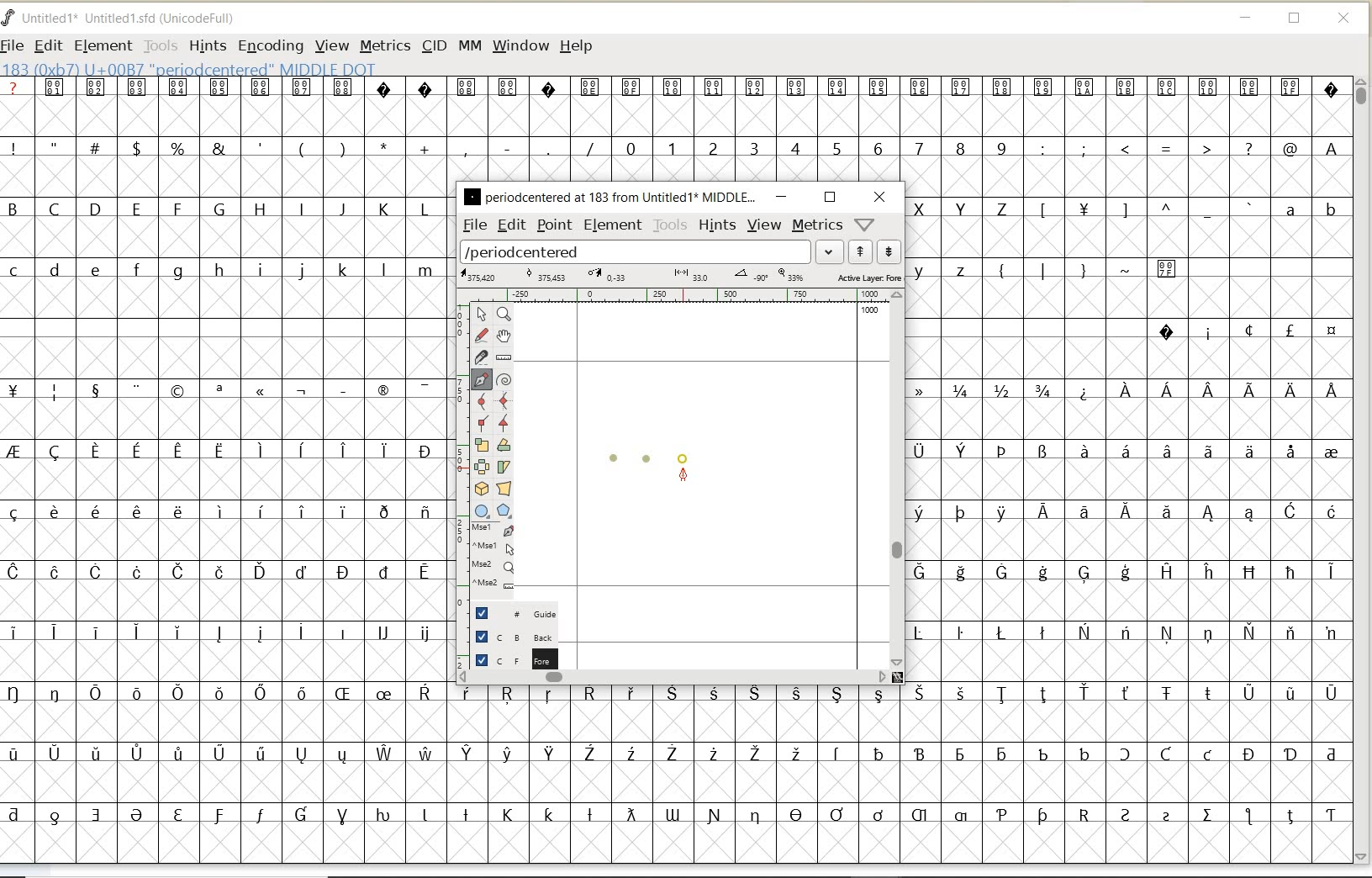 The height and width of the screenshot is (878, 1372). Describe the element at coordinates (1295, 21) in the screenshot. I see `RESTORE` at that location.